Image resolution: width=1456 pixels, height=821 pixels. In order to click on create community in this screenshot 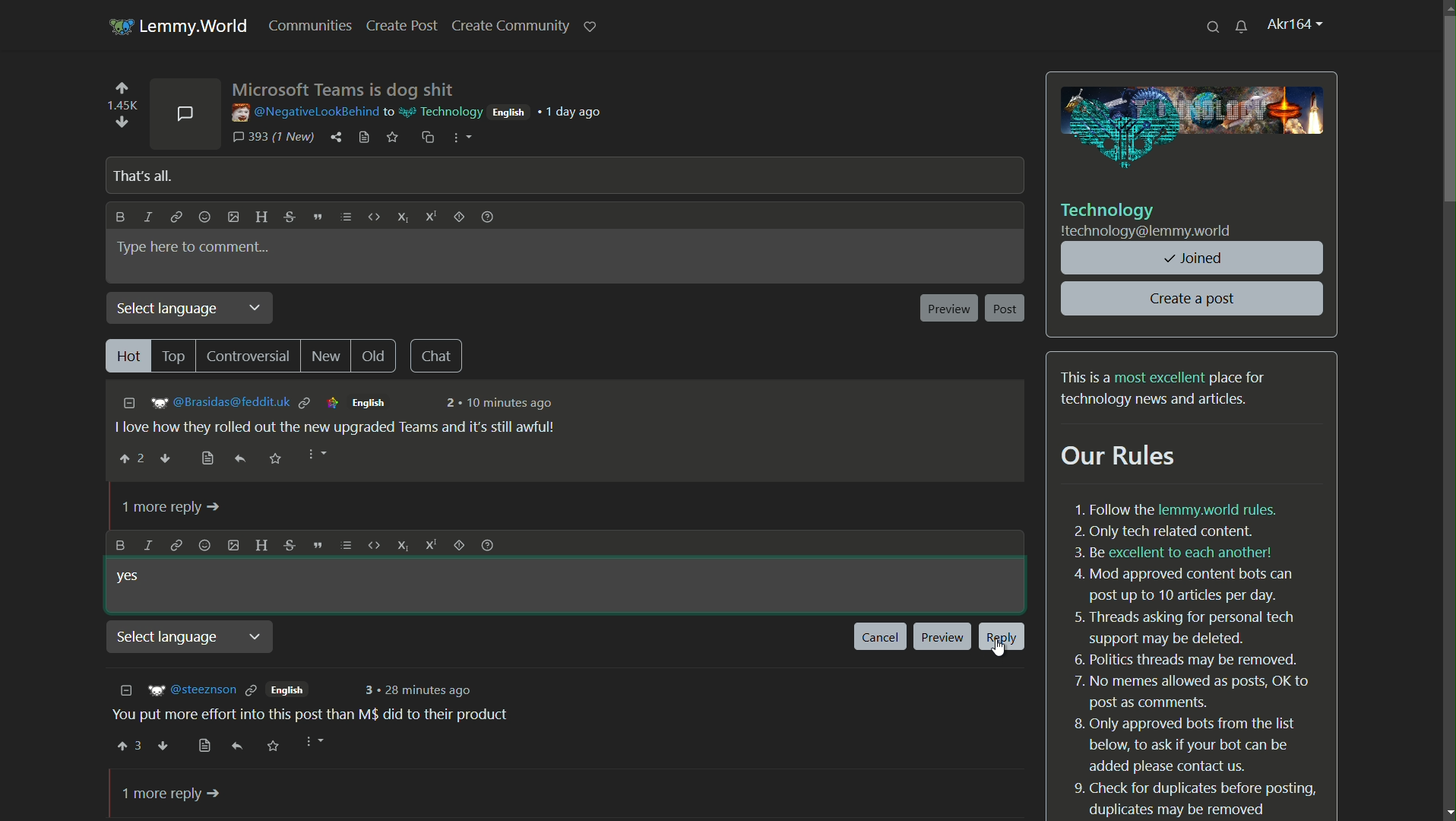, I will do `click(510, 26)`.